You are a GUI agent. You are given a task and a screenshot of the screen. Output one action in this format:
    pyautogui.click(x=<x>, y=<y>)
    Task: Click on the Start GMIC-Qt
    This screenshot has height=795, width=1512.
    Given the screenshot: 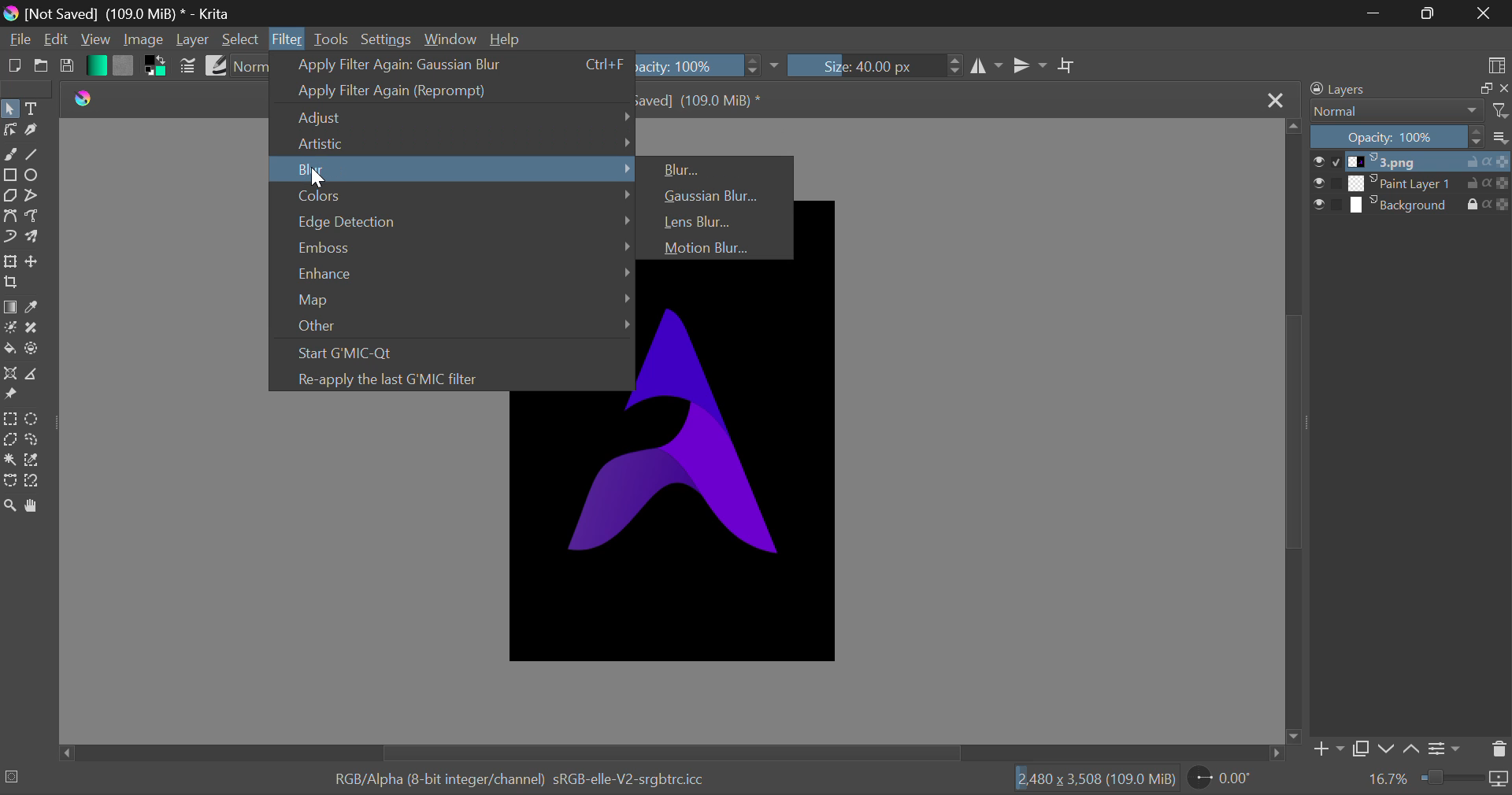 What is the action you would take?
    pyautogui.click(x=449, y=350)
    